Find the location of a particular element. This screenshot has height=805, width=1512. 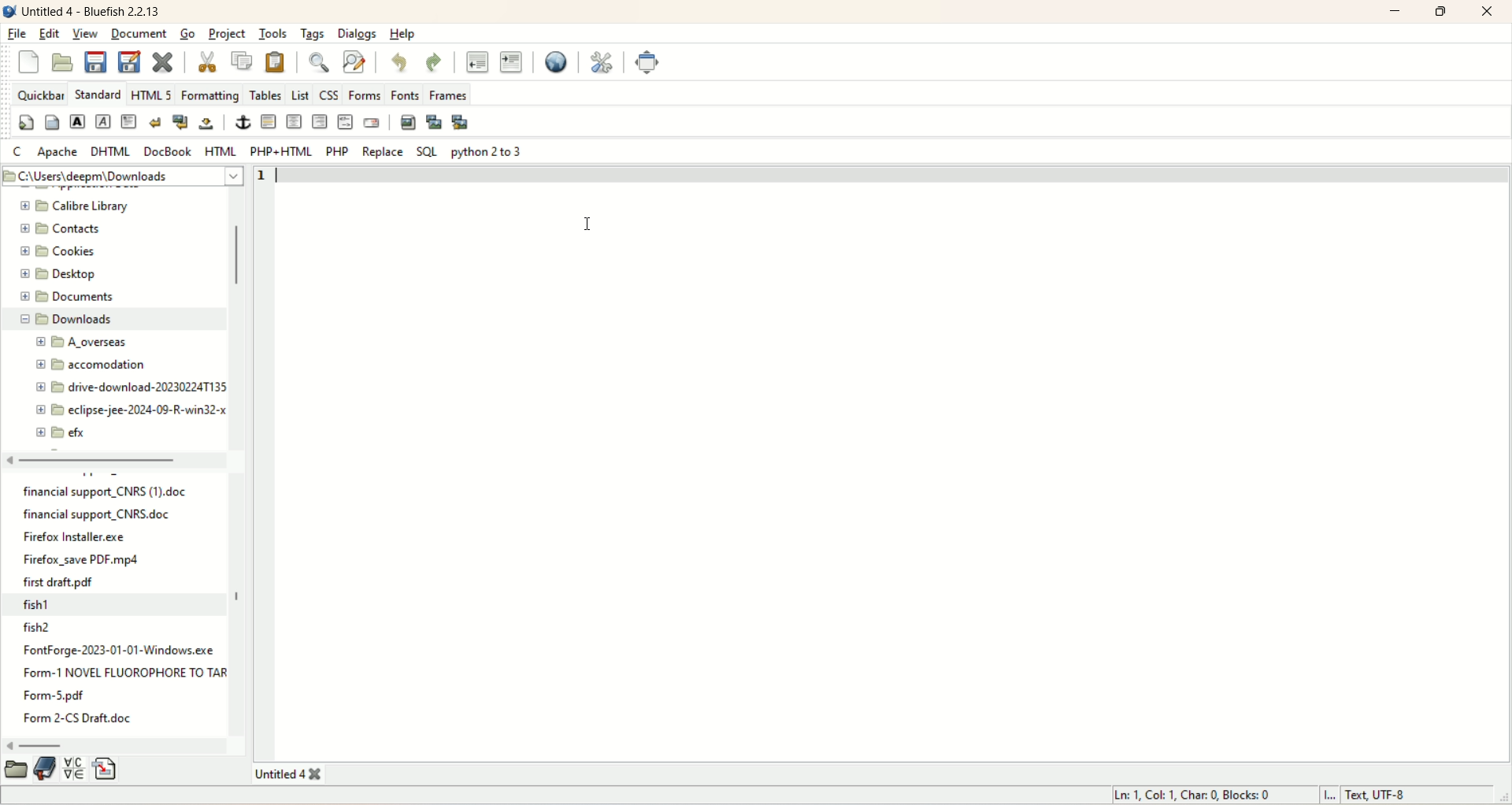

show find bar is located at coordinates (317, 61).